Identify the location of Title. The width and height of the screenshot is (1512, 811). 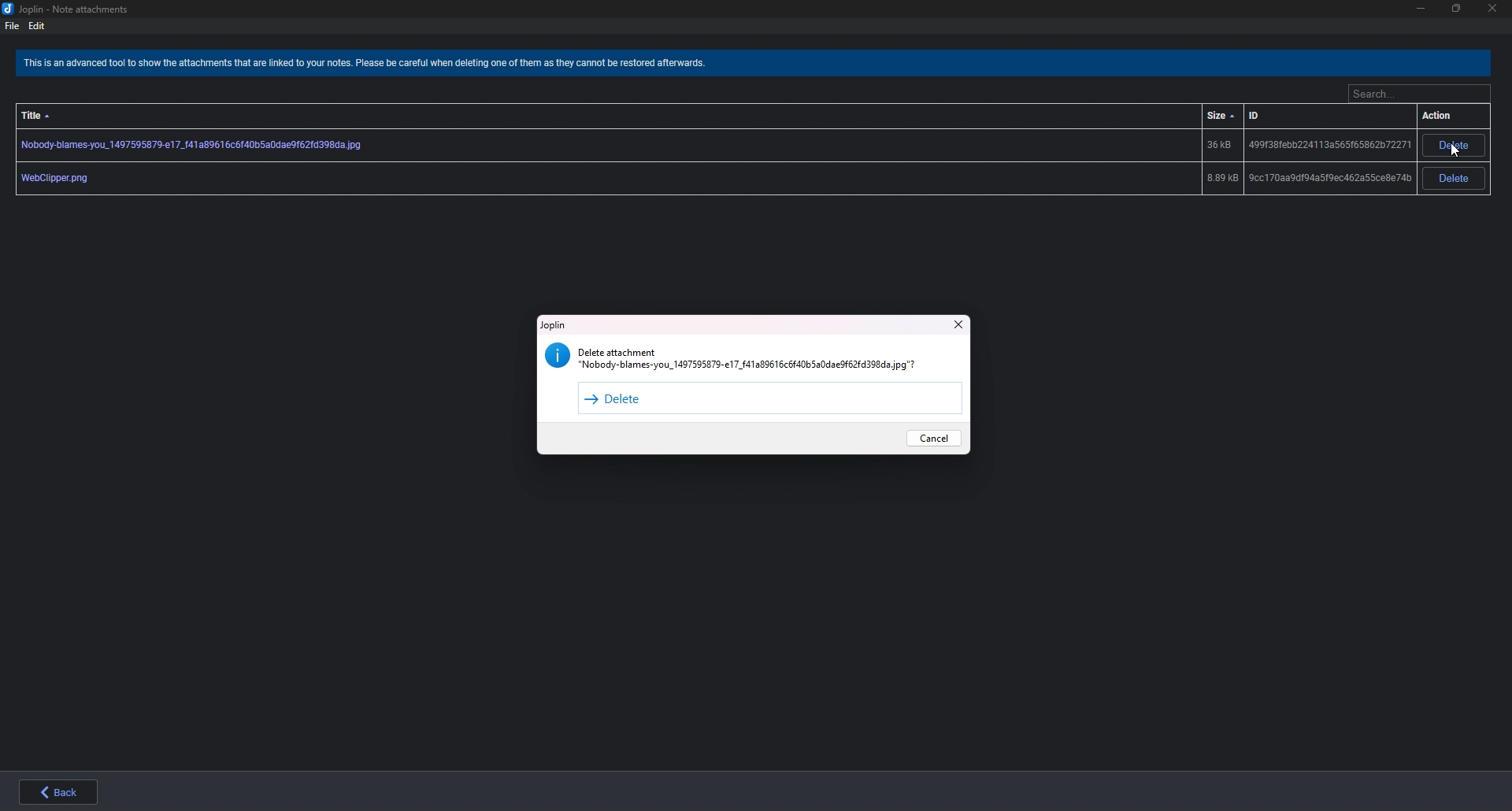
(39, 117).